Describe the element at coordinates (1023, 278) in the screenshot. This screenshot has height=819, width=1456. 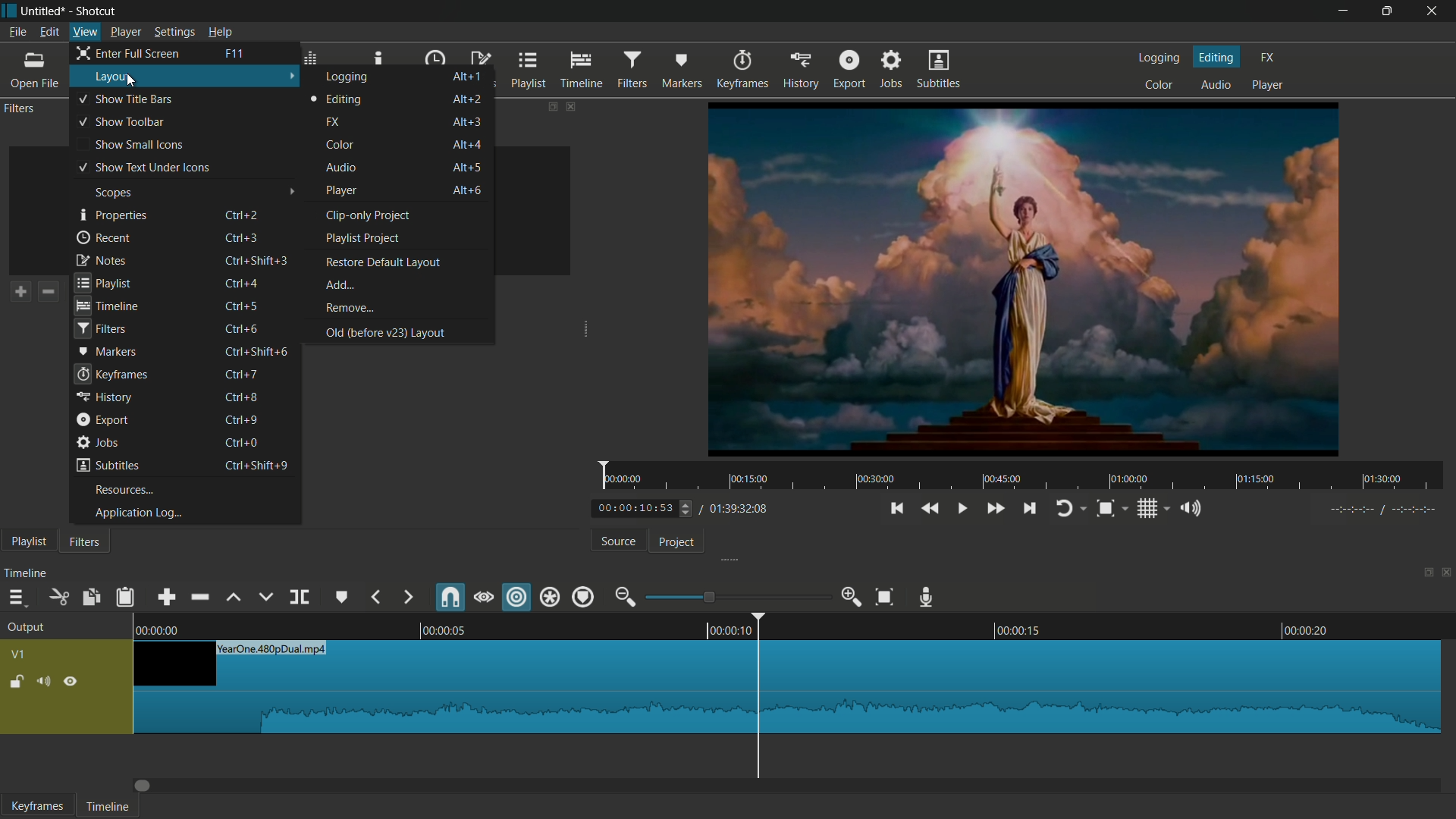
I see `preview window` at that location.